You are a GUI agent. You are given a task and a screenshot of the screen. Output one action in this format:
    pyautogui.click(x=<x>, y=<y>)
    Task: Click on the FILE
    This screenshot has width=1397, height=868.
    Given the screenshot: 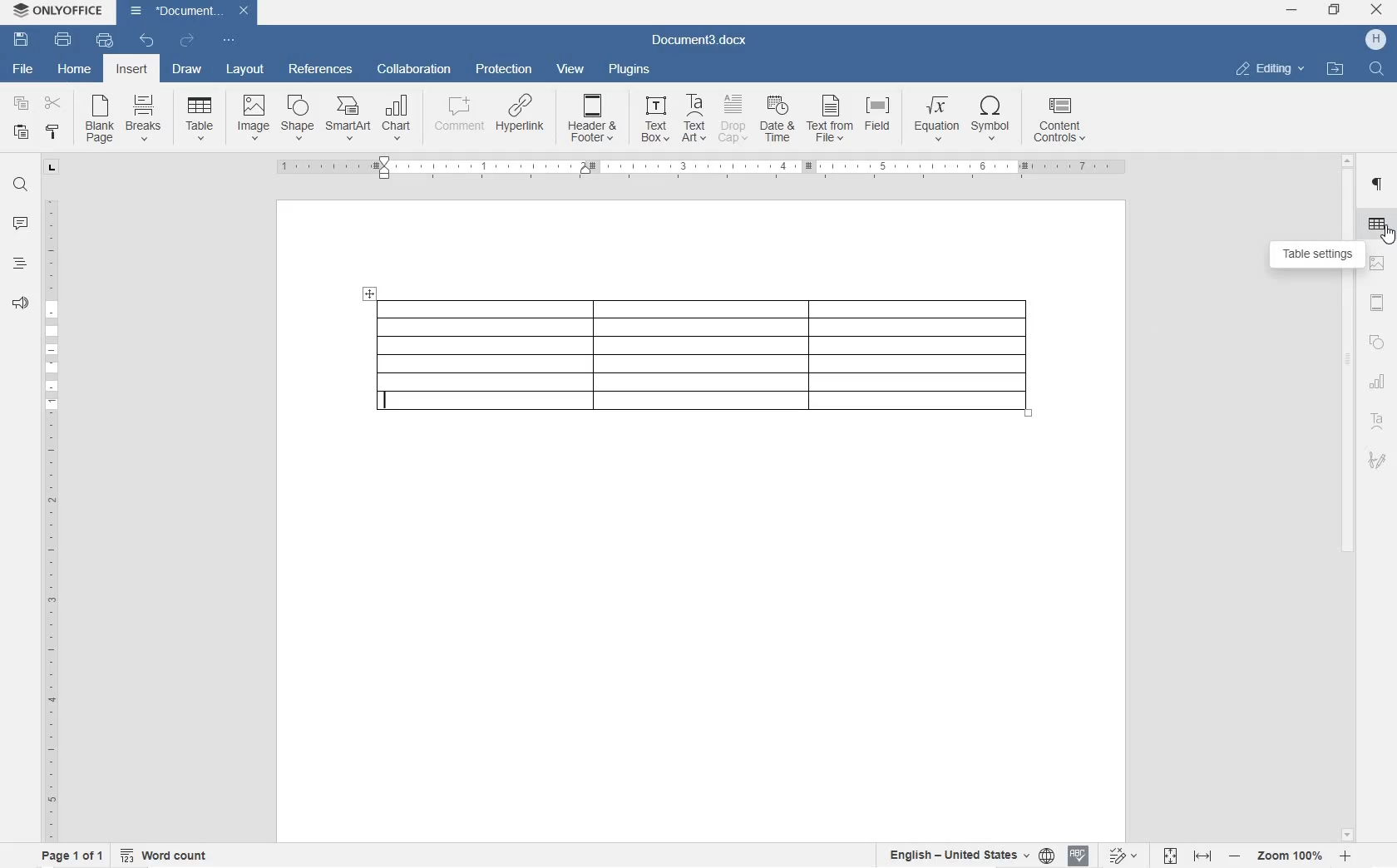 What is the action you would take?
    pyautogui.click(x=25, y=70)
    